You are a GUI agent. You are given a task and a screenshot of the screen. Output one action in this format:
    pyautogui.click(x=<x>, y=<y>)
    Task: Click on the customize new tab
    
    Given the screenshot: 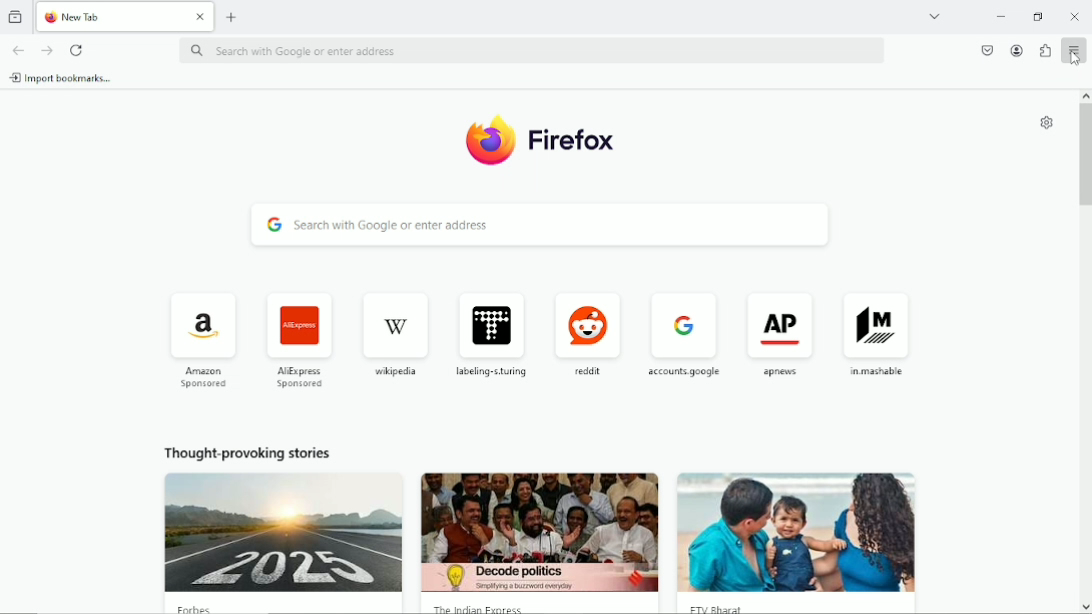 What is the action you would take?
    pyautogui.click(x=1045, y=123)
    